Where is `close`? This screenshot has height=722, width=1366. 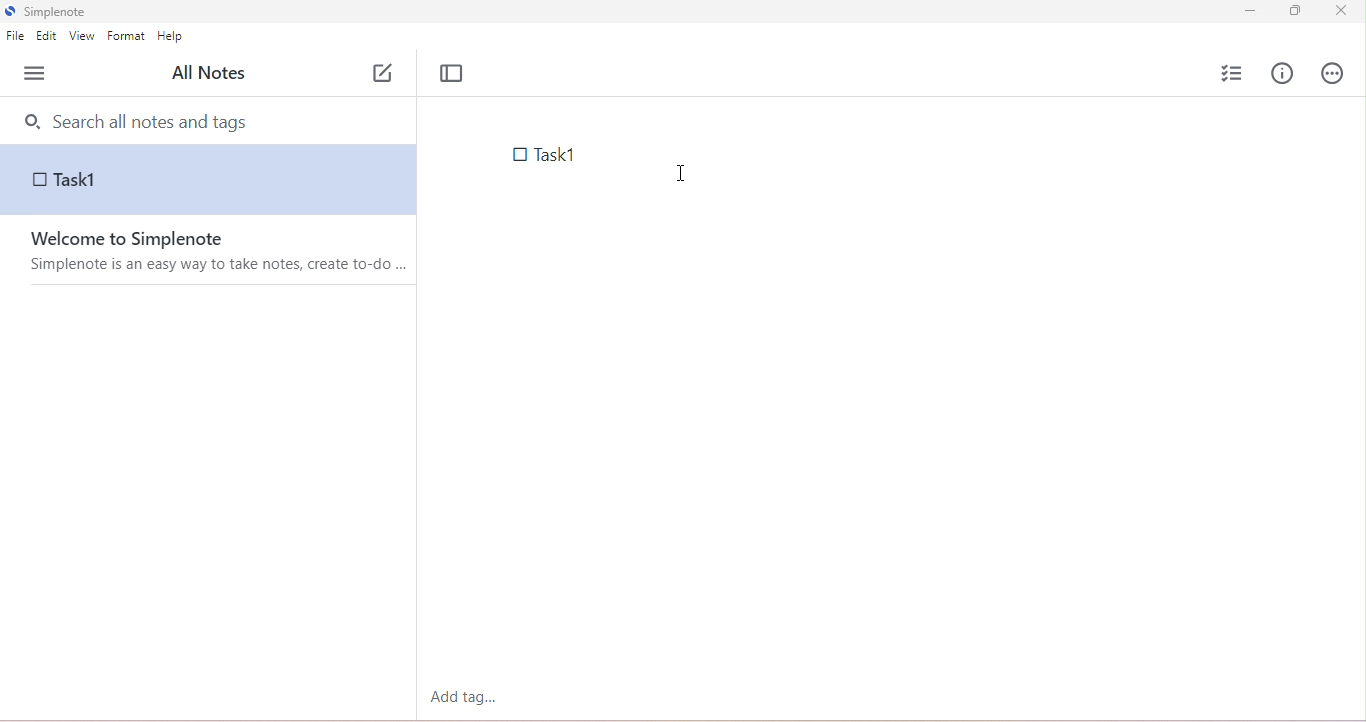
close is located at coordinates (1340, 12).